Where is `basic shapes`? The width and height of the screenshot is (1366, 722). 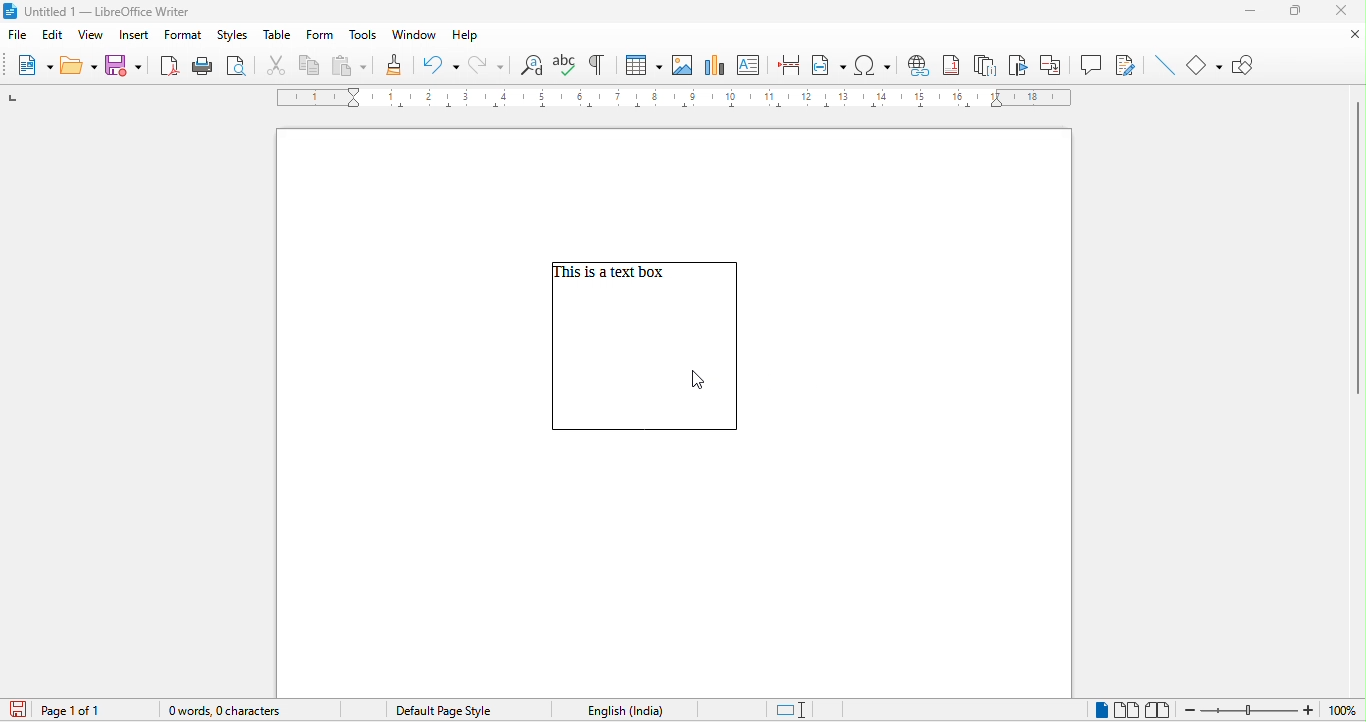
basic shapes is located at coordinates (1206, 64).